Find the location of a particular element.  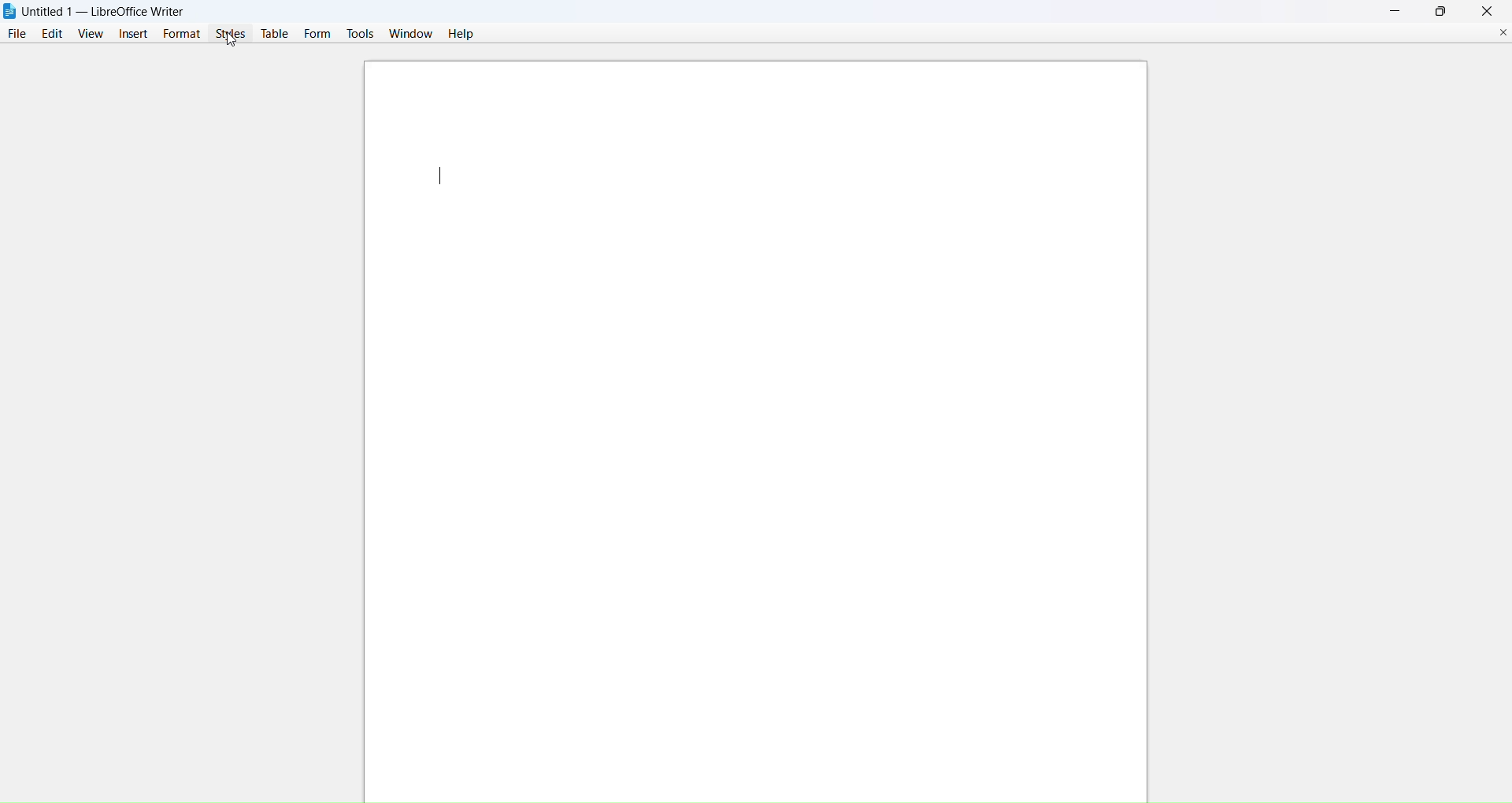

help is located at coordinates (465, 35).